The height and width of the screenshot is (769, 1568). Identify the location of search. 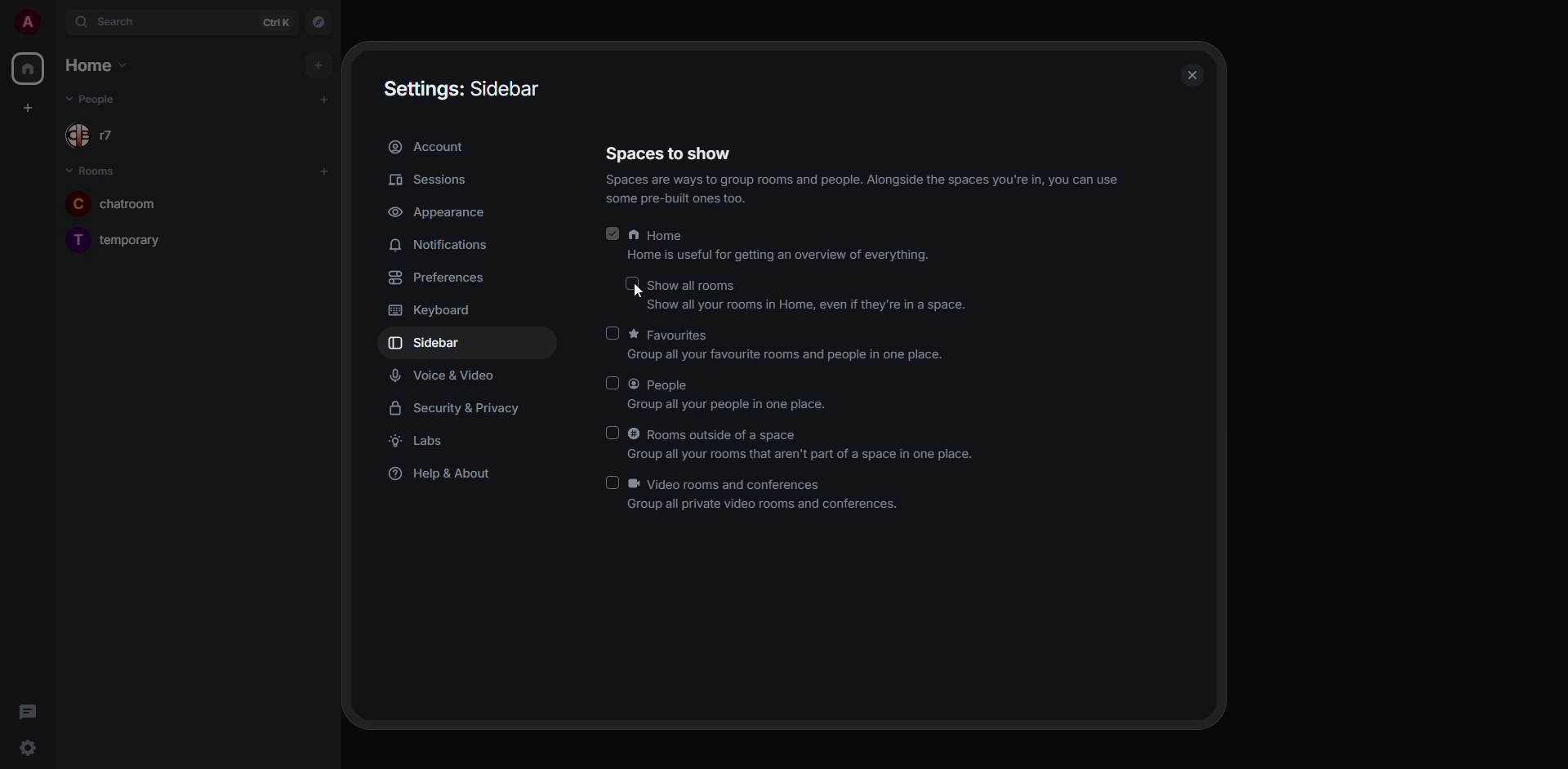
(119, 22).